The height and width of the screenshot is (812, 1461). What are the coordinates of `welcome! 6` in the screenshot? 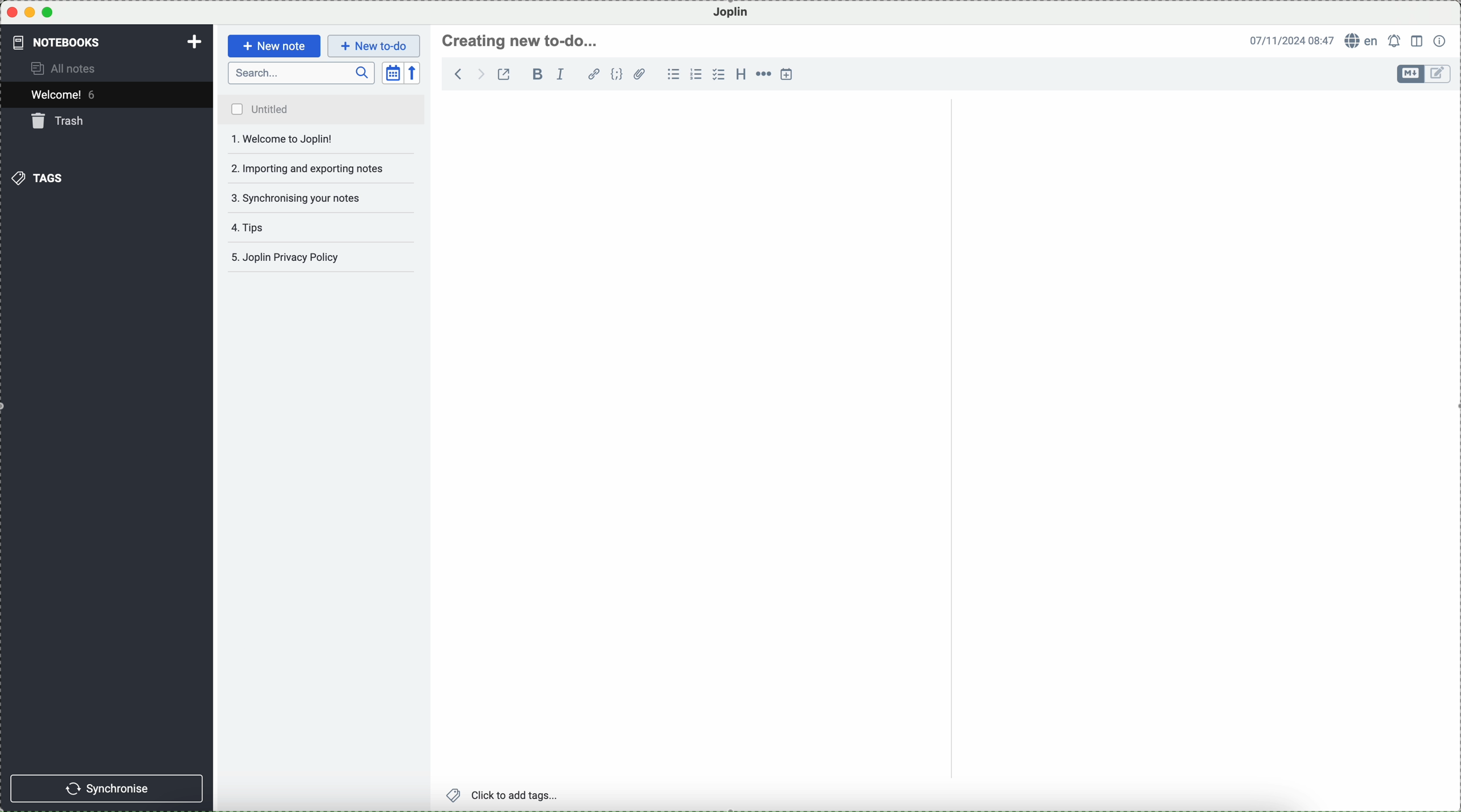 It's located at (67, 94).